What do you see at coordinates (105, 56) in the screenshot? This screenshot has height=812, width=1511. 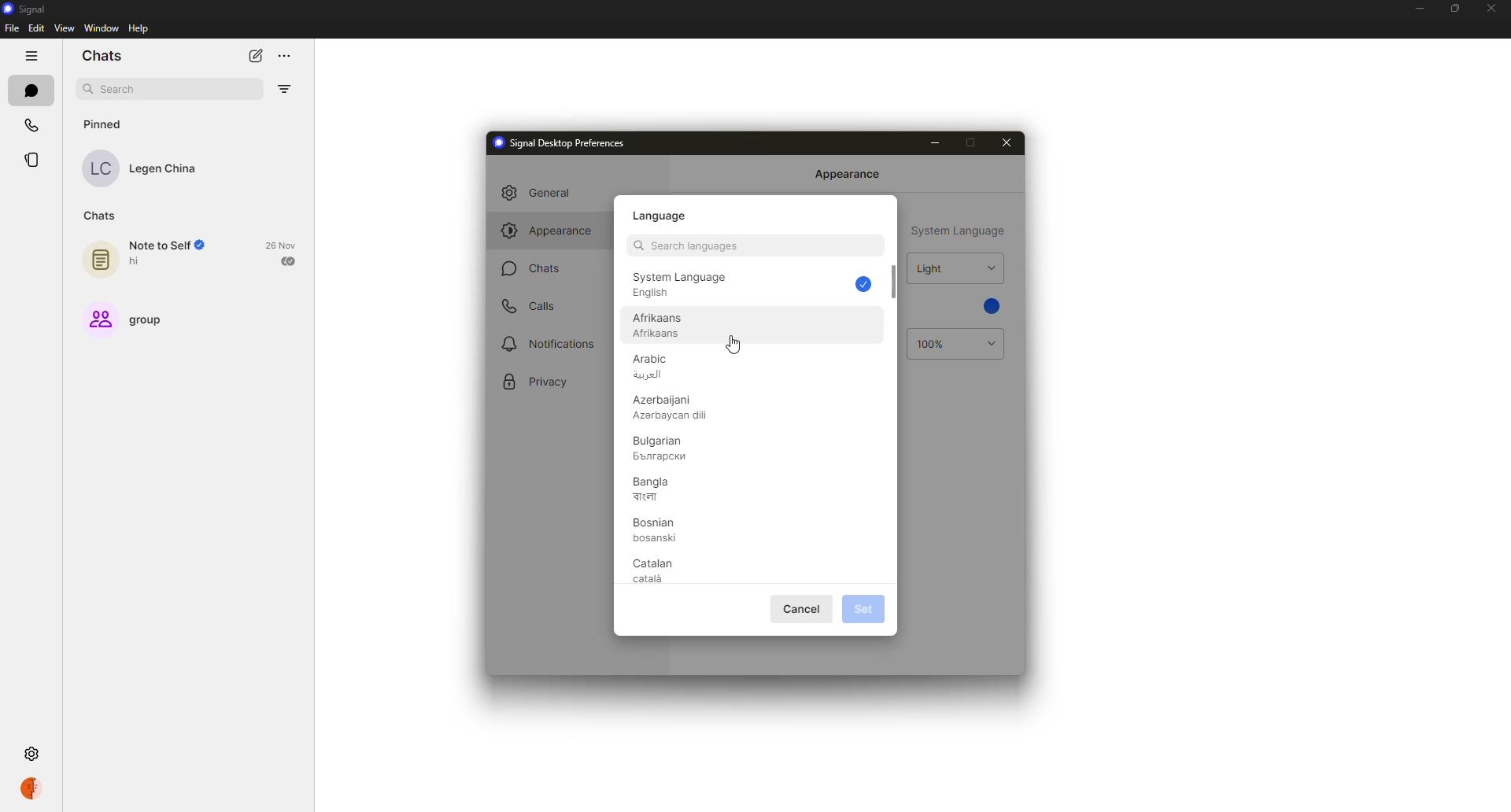 I see `chats` at bounding box center [105, 56].